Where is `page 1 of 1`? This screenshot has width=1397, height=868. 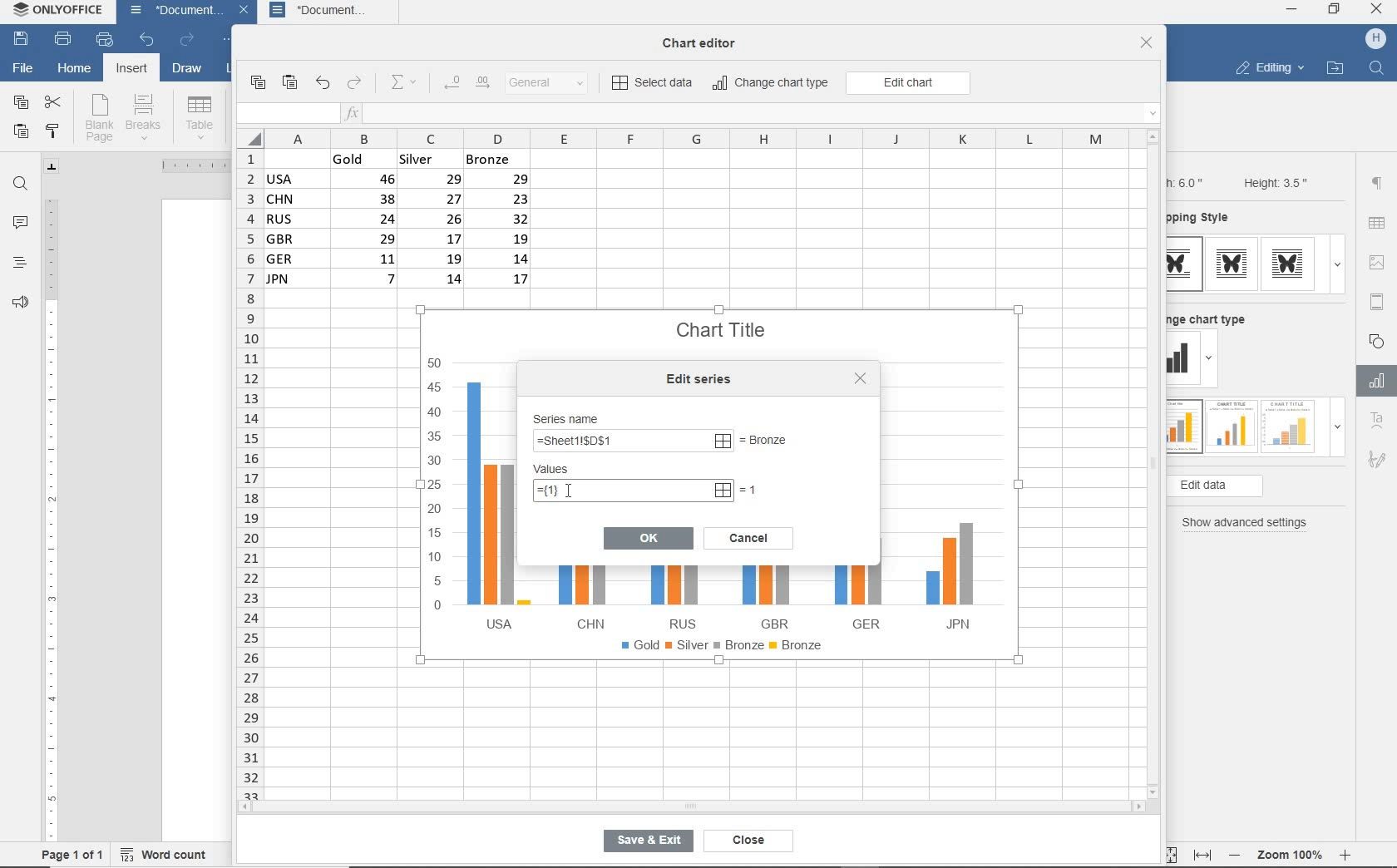 page 1 of 1 is located at coordinates (73, 854).